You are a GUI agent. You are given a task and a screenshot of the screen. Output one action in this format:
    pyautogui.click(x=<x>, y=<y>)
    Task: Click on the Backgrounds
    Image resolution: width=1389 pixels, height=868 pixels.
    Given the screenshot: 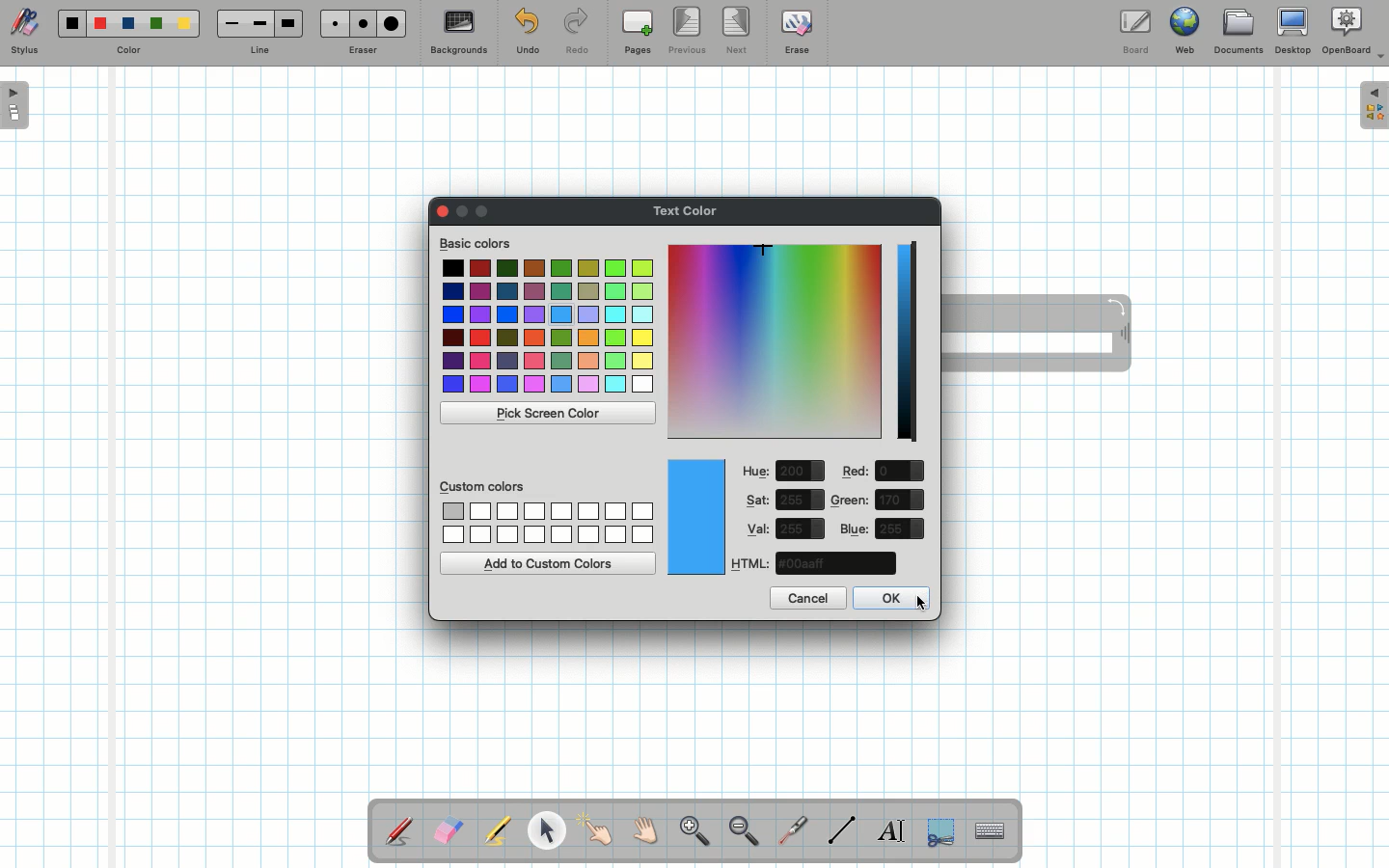 What is the action you would take?
    pyautogui.click(x=458, y=33)
    